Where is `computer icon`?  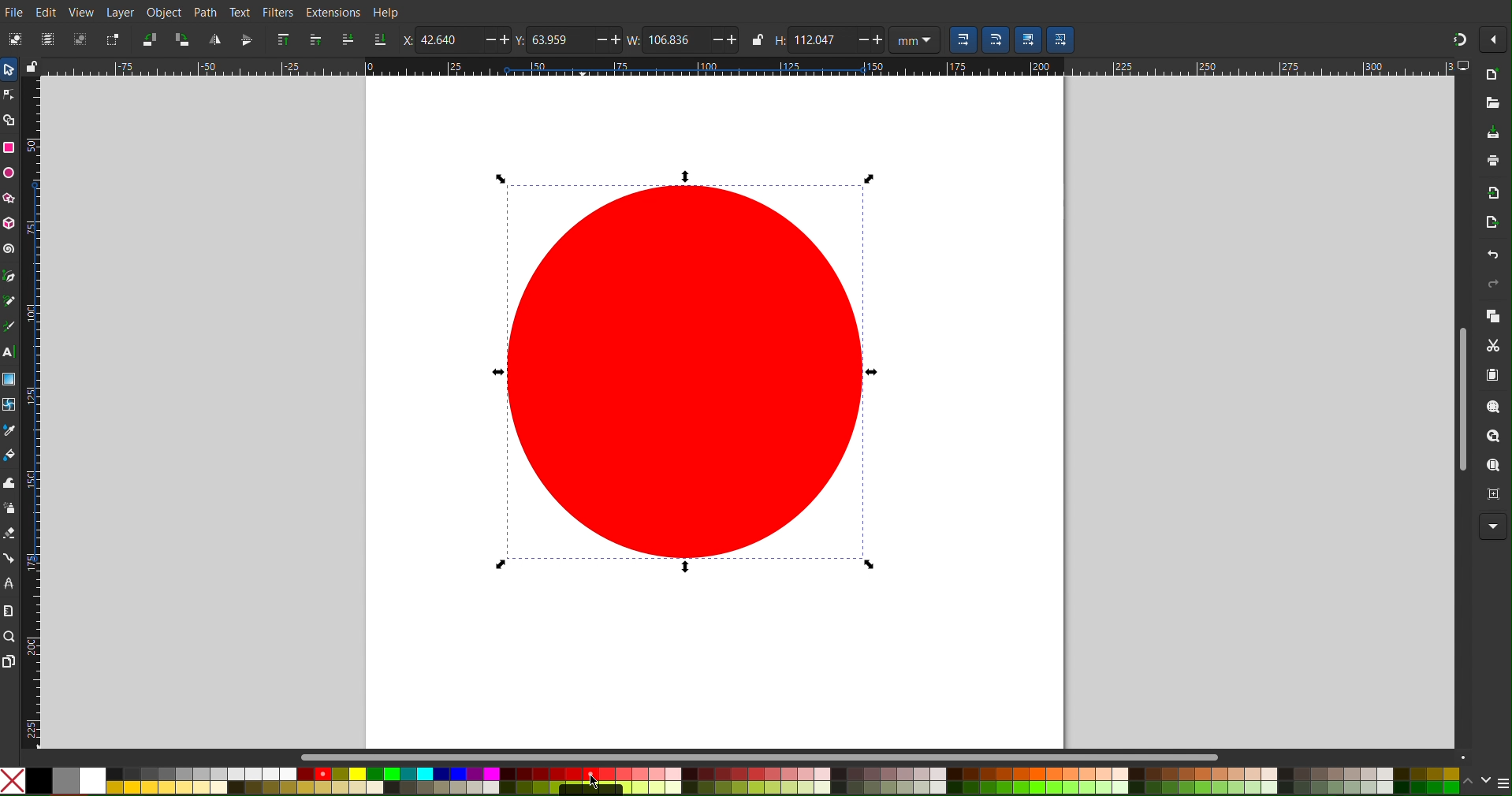
computer icon is located at coordinates (1465, 67).